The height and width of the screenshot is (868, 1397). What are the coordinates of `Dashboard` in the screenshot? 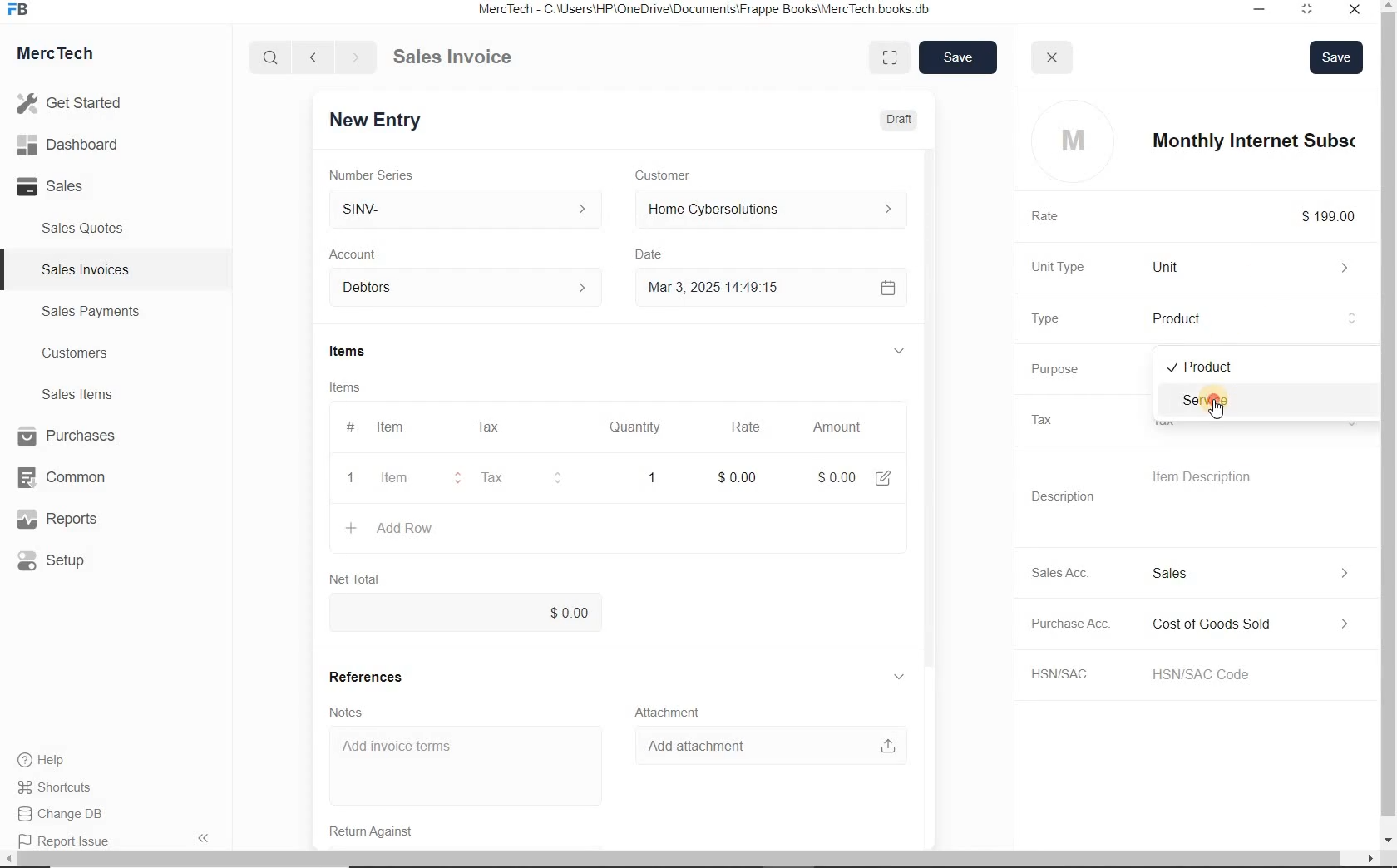 It's located at (76, 145).